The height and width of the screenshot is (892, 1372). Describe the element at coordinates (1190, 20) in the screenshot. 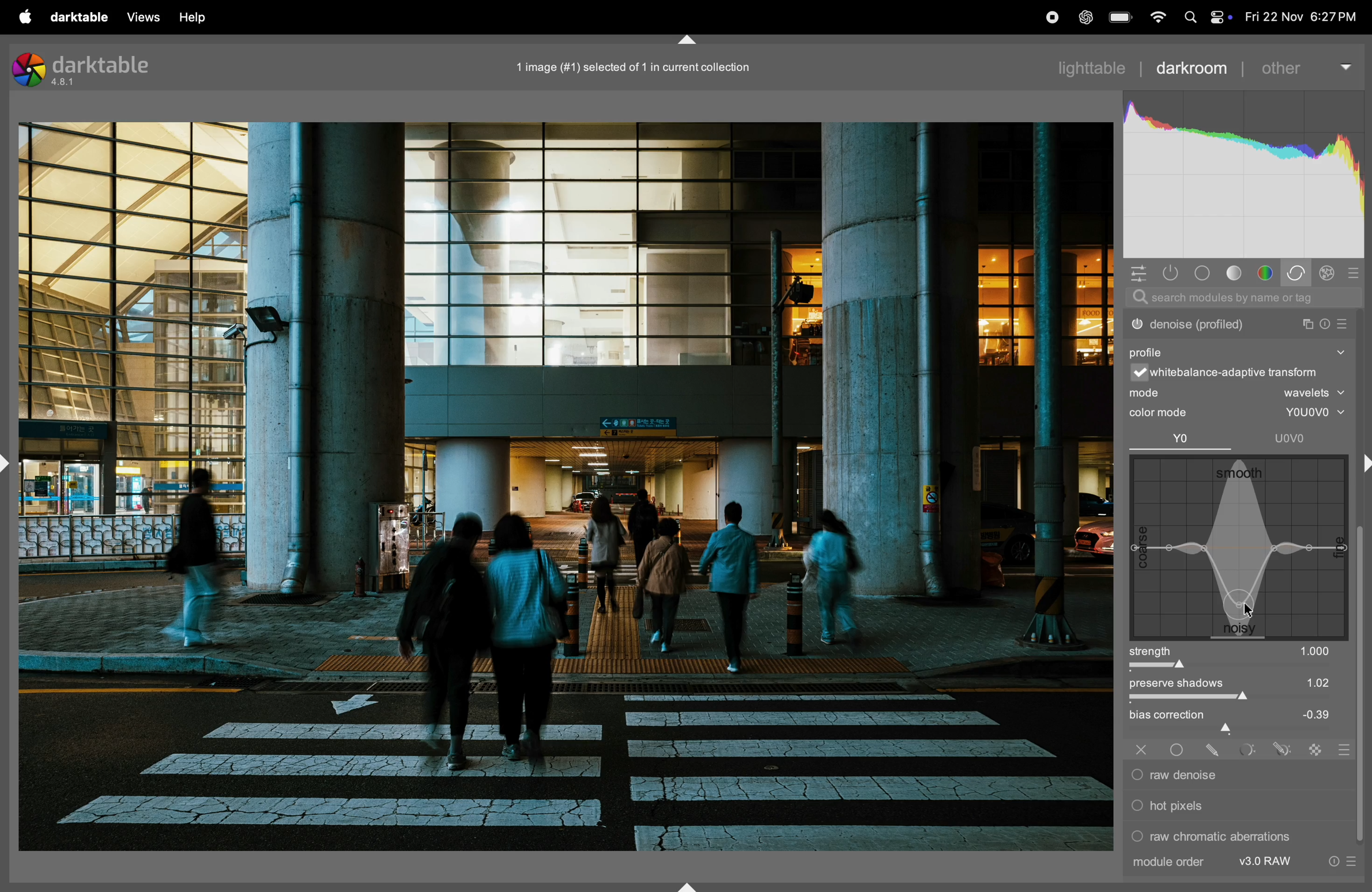

I see `spotlight search` at that location.